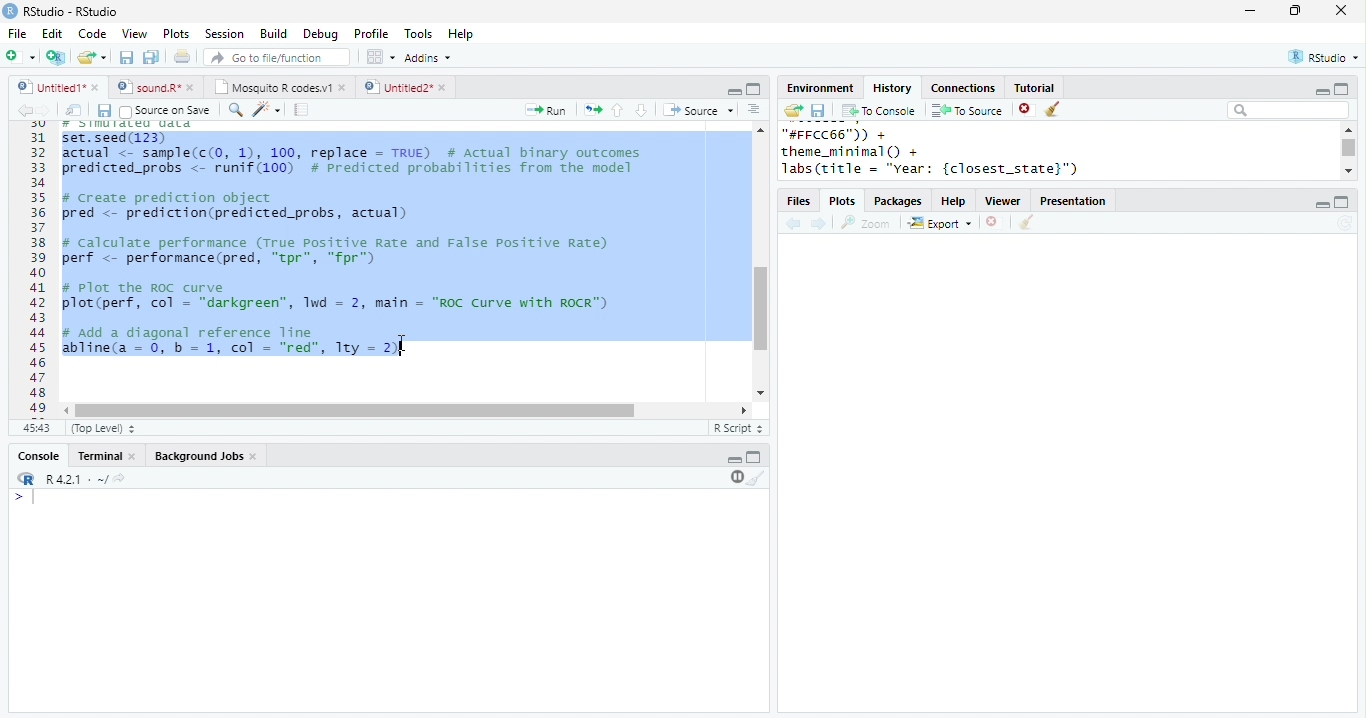 Image resolution: width=1366 pixels, height=718 pixels. What do you see at coordinates (759, 393) in the screenshot?
I see `scroll down` at bounding box center [759, 393].